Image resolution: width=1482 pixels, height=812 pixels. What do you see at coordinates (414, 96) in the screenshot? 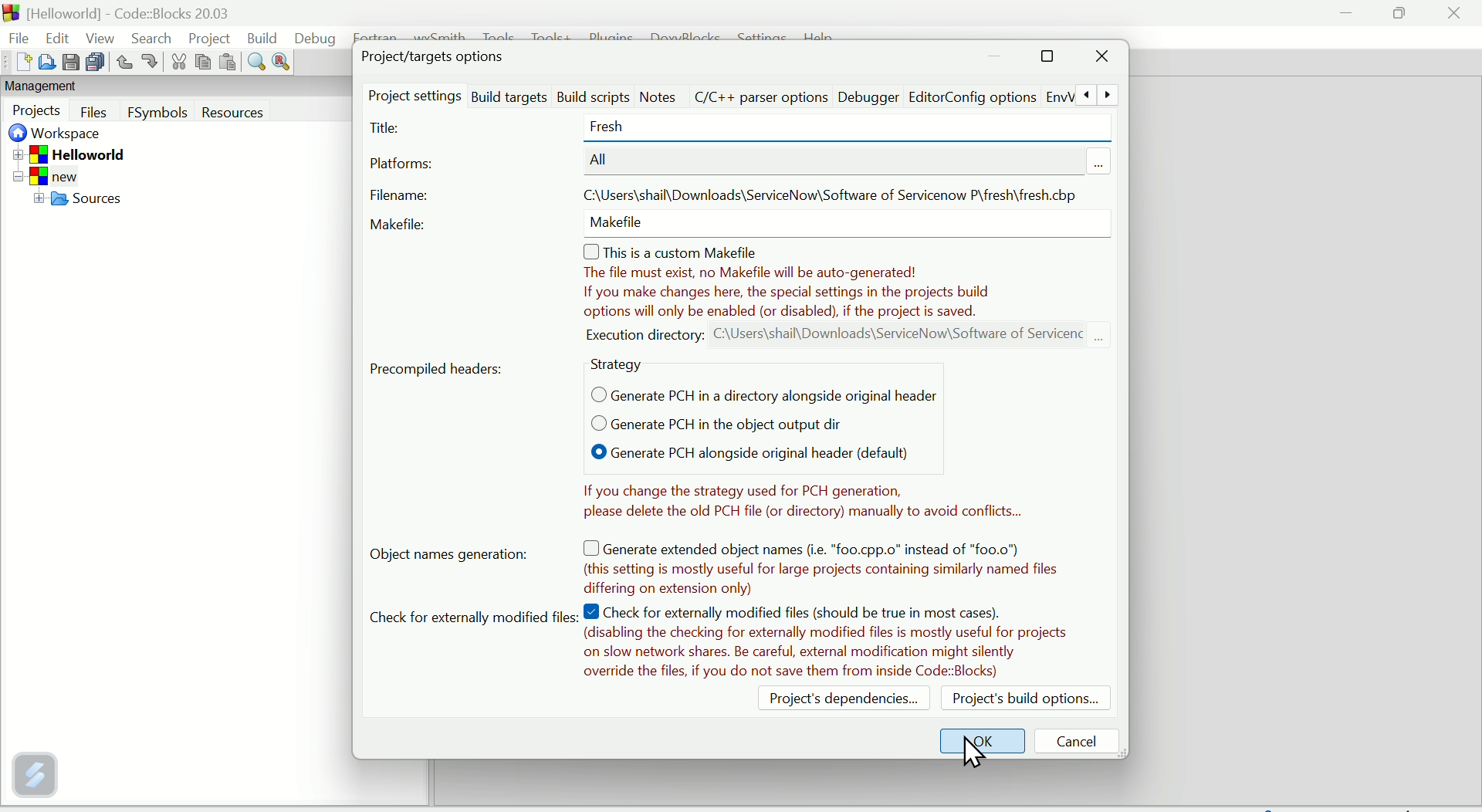
I see `Project setting` at bounding box center [414, 96].